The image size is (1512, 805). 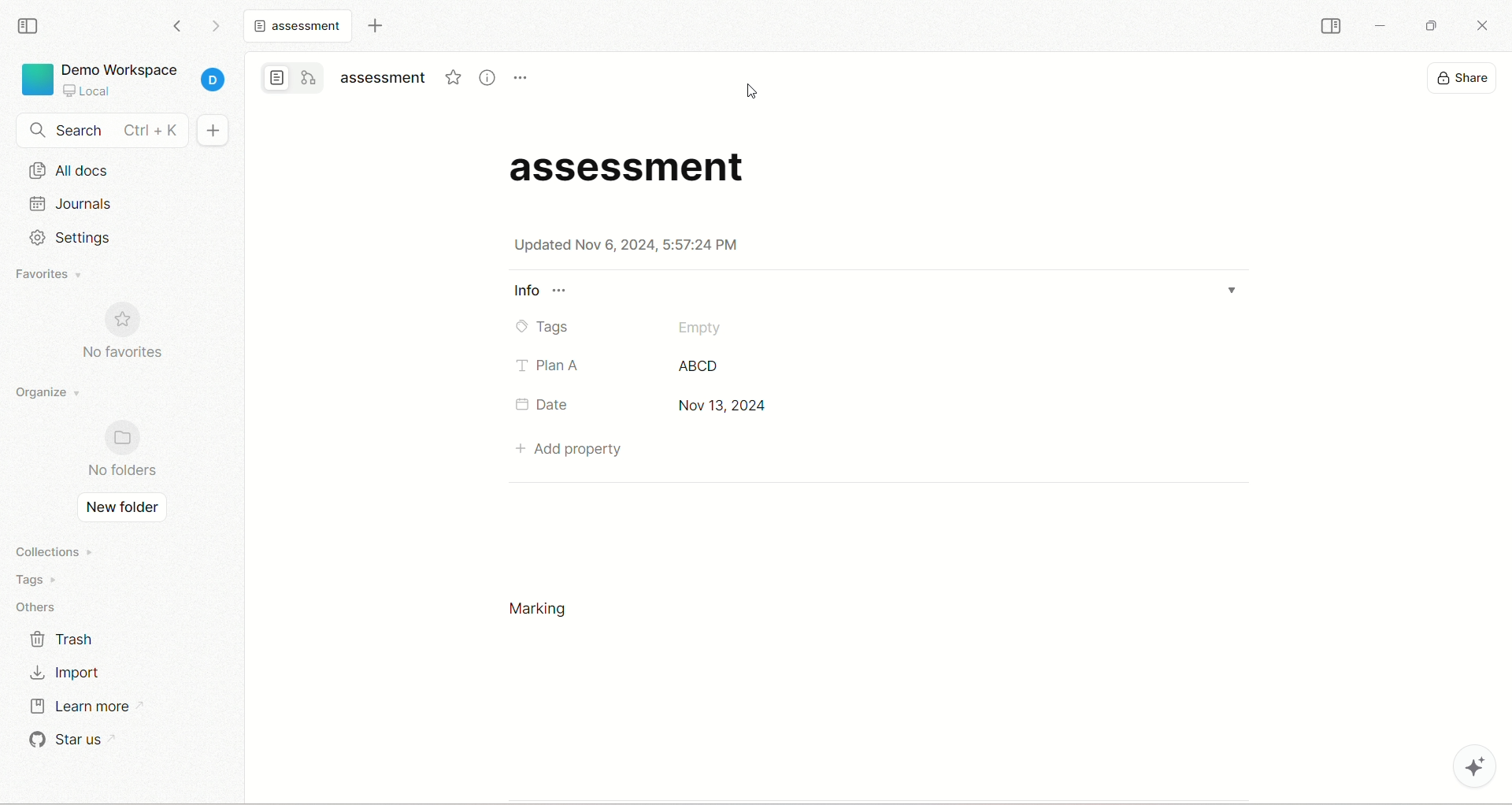 What do you see at coordinates (31, 579) in the screenshot?
I see `tags` at bounding box center [31, 579].